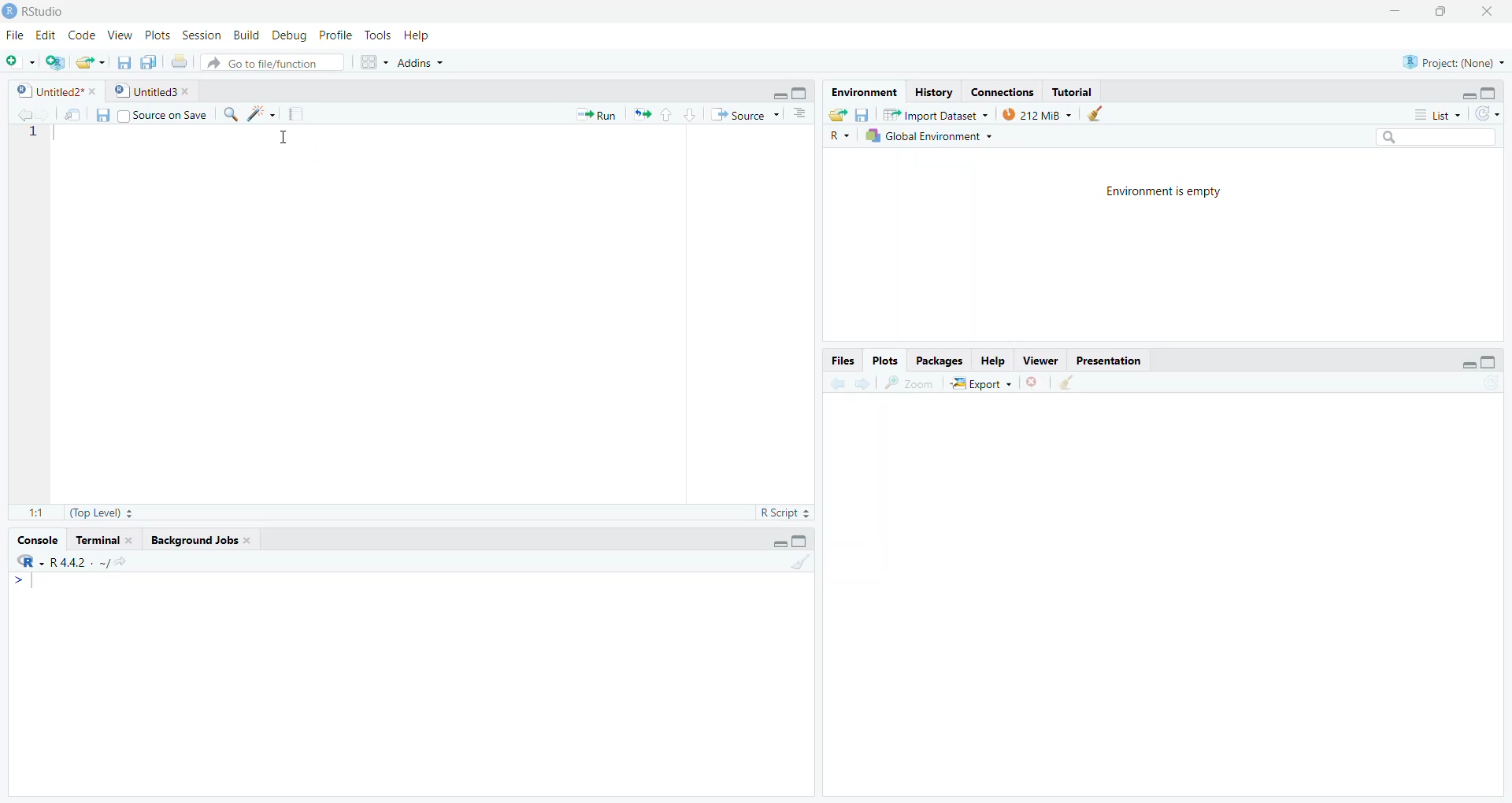 The image size is (1512, 803). Describe the element at coordinates (1429, 115) in the screenshot. I see `list` at that location.